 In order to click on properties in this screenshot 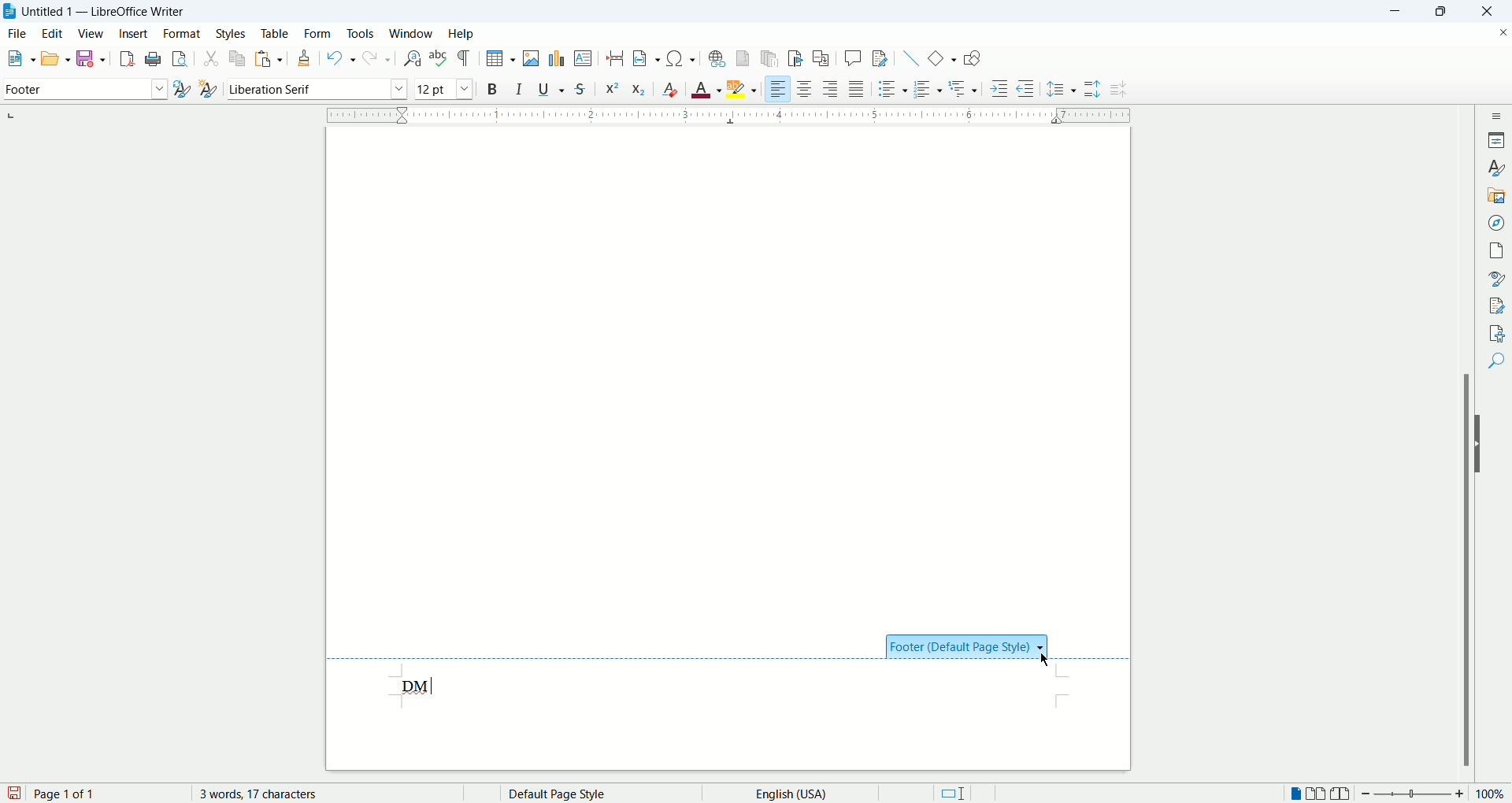, I will do `click(1498, 139)`.